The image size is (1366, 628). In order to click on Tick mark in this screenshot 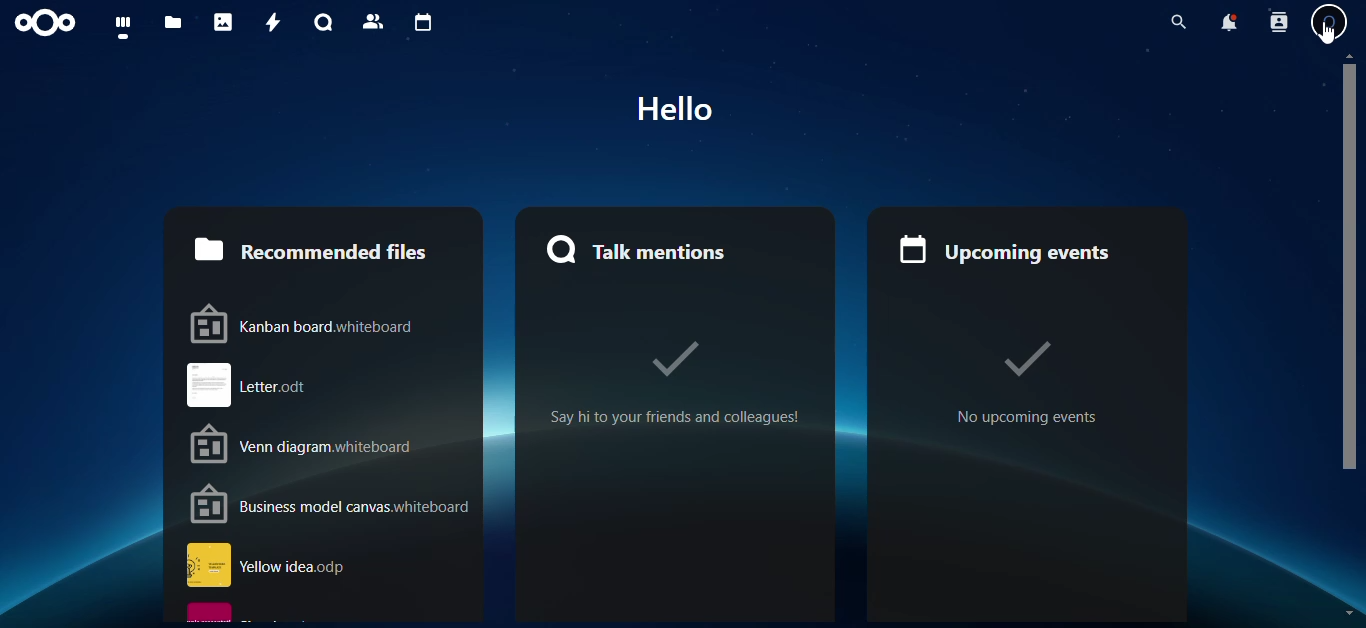, I will do `click(1026, 359)`.